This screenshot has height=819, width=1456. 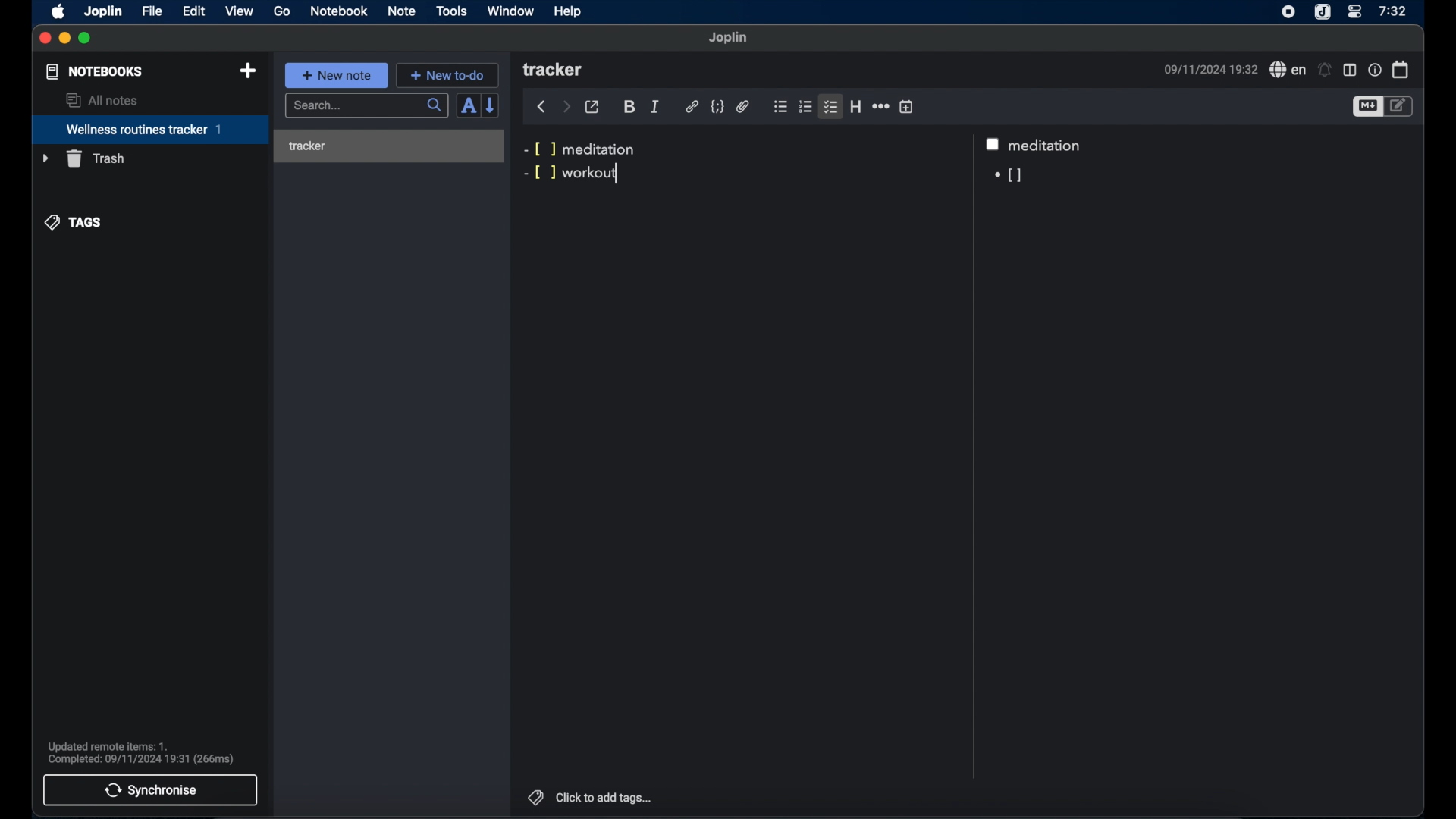 I want to click on bold, so click(x=629, y=108).